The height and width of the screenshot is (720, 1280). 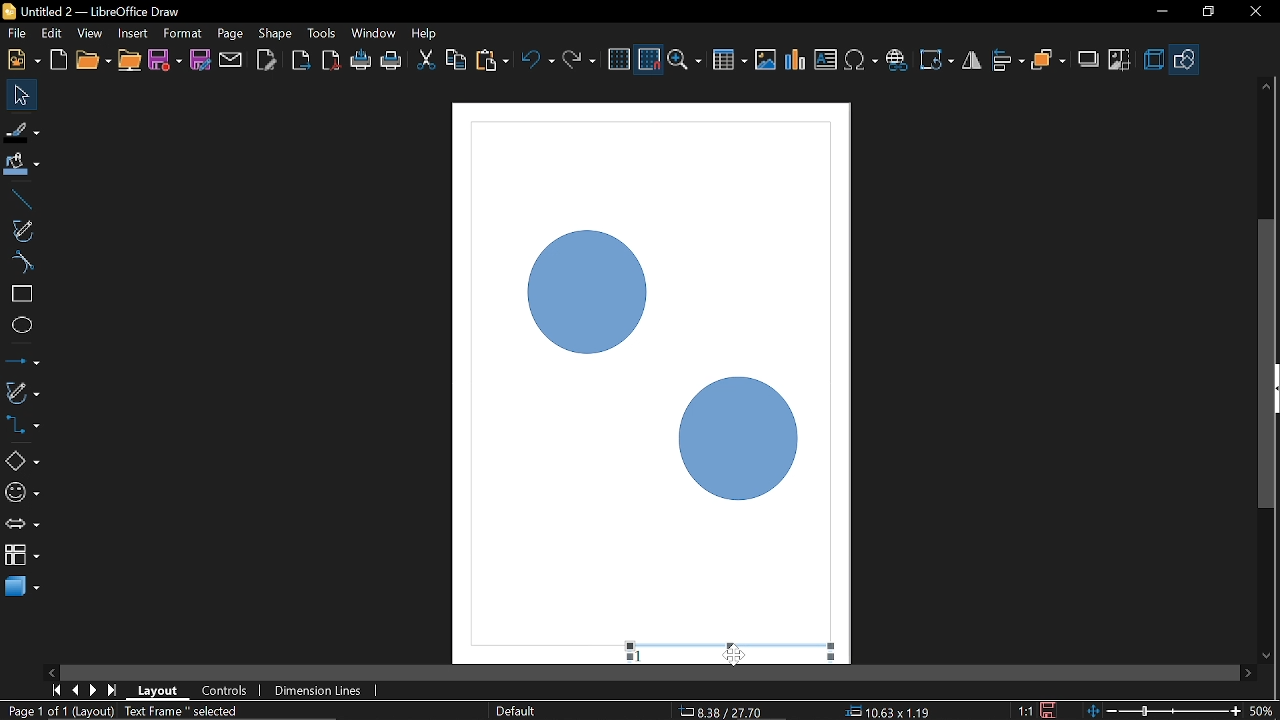 I want to click on flip, so click(x=973, y=62).